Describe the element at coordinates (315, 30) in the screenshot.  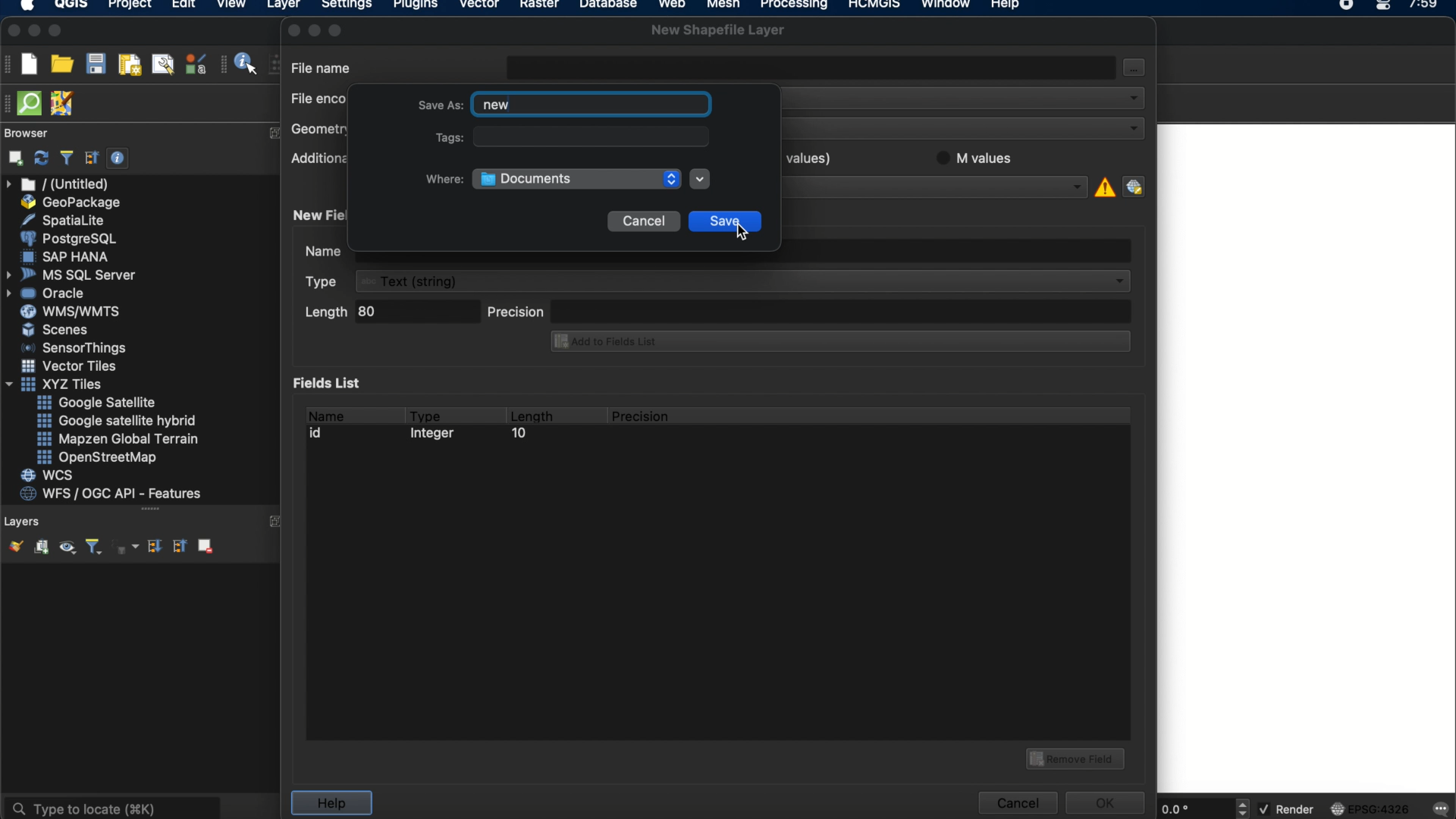
I see `inactive minimize icon` at that location.